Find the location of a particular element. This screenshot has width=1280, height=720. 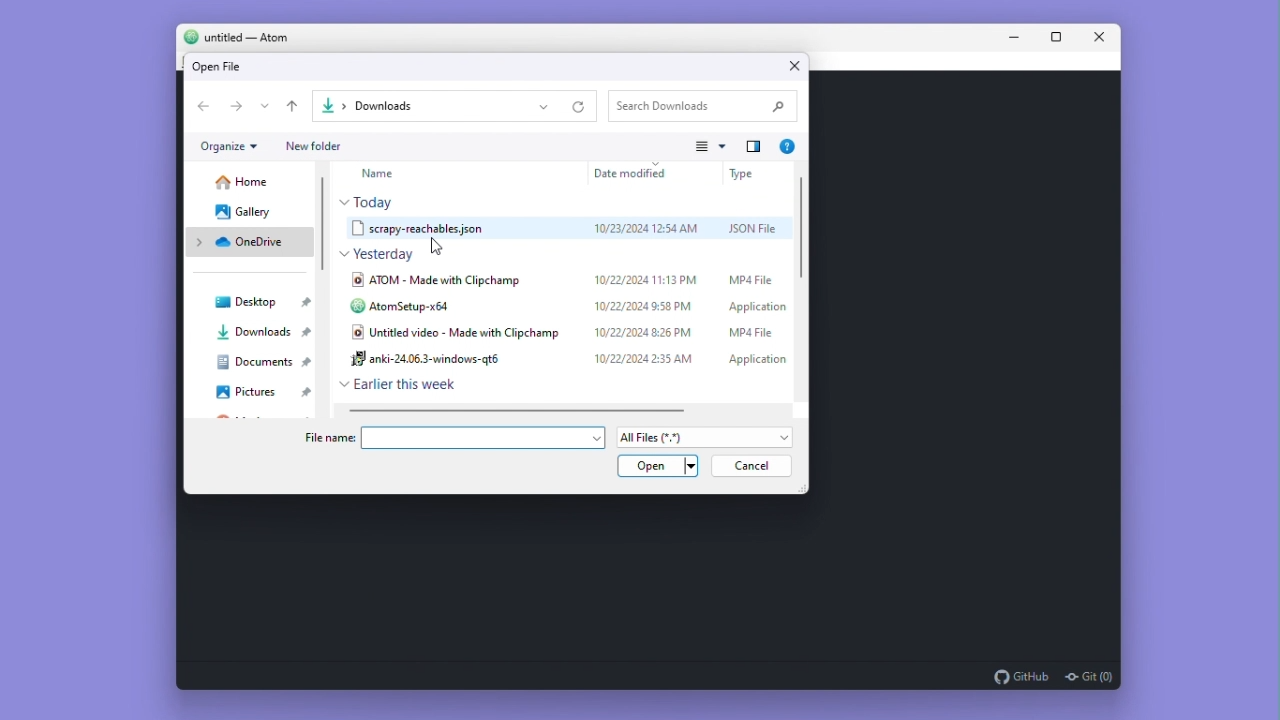

Vertical scroll bar is located at coordinates (803, 231).